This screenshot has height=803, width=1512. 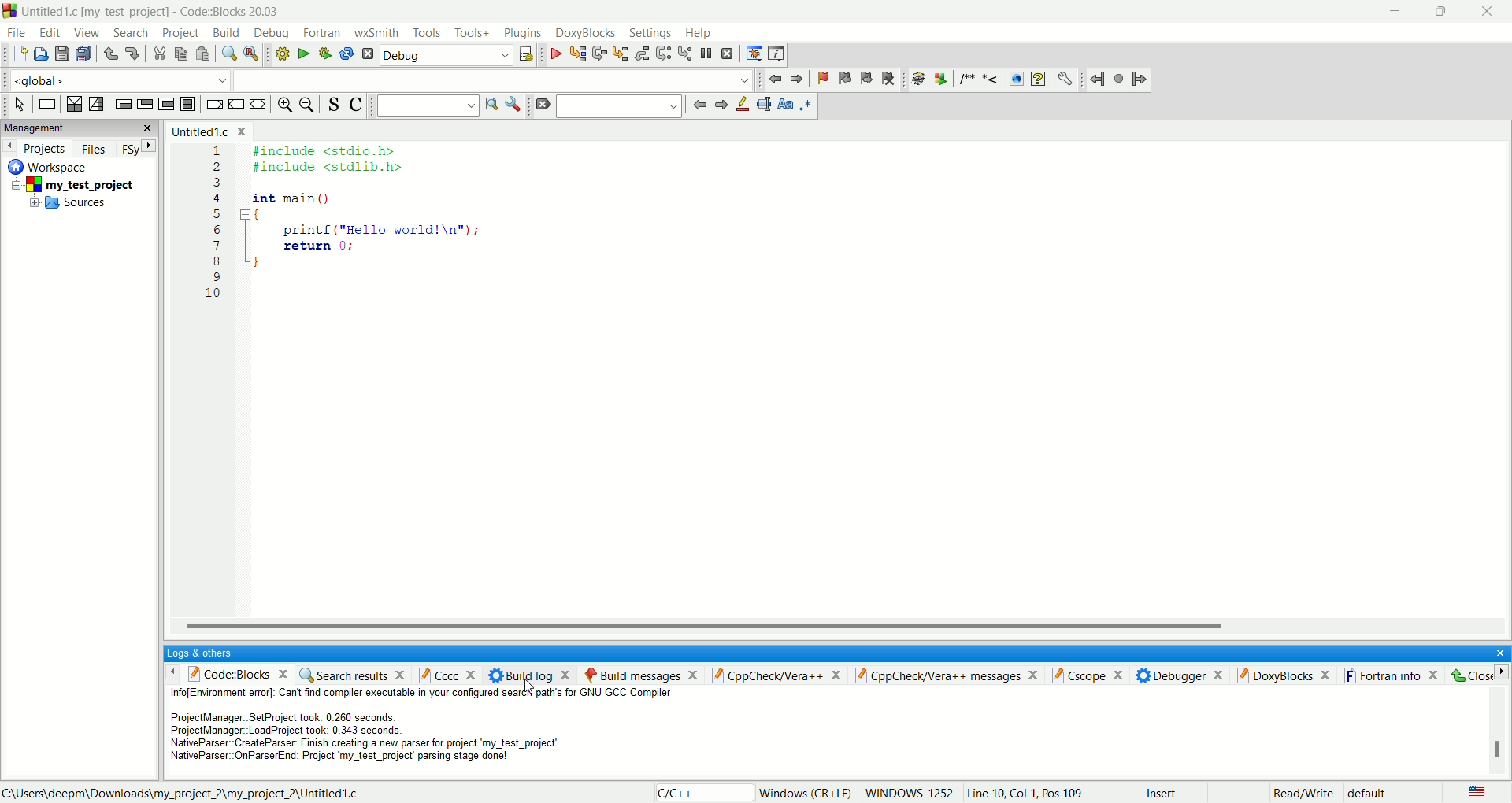 What do you see at coordinates (806, 794) in the screenshot?
I see `windows` at bounding box center [806, 794].